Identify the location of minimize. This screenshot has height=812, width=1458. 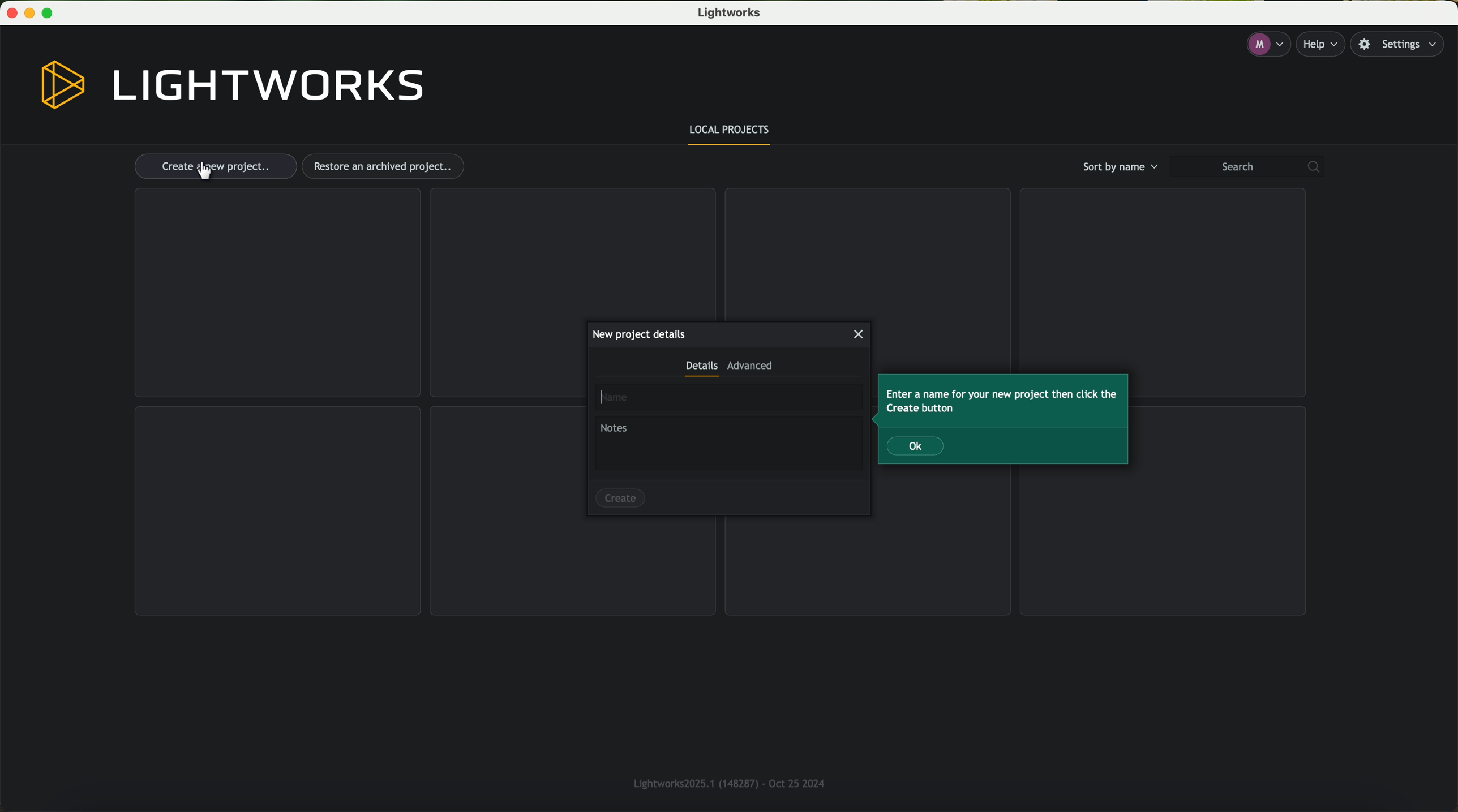
(32, 13).